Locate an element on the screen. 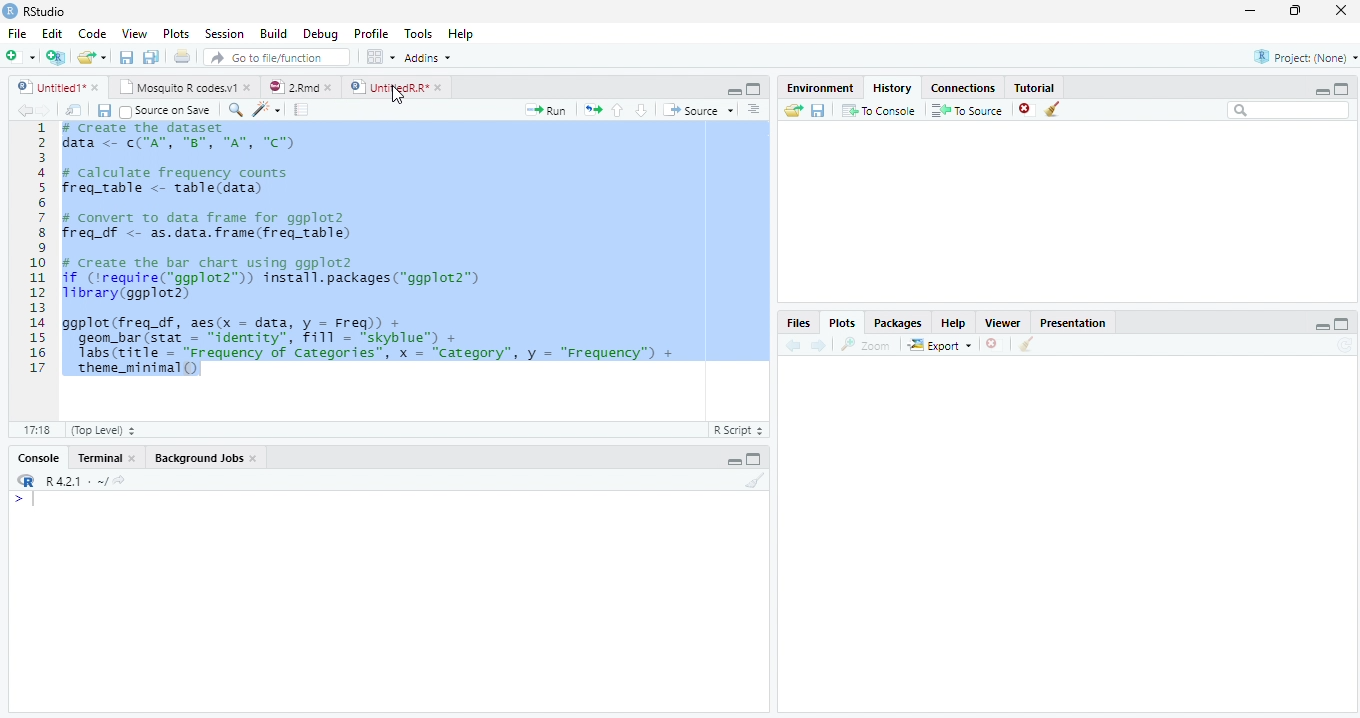 This screenshot has width=1360, height=718. Tools is located at coordinates (421, 34).